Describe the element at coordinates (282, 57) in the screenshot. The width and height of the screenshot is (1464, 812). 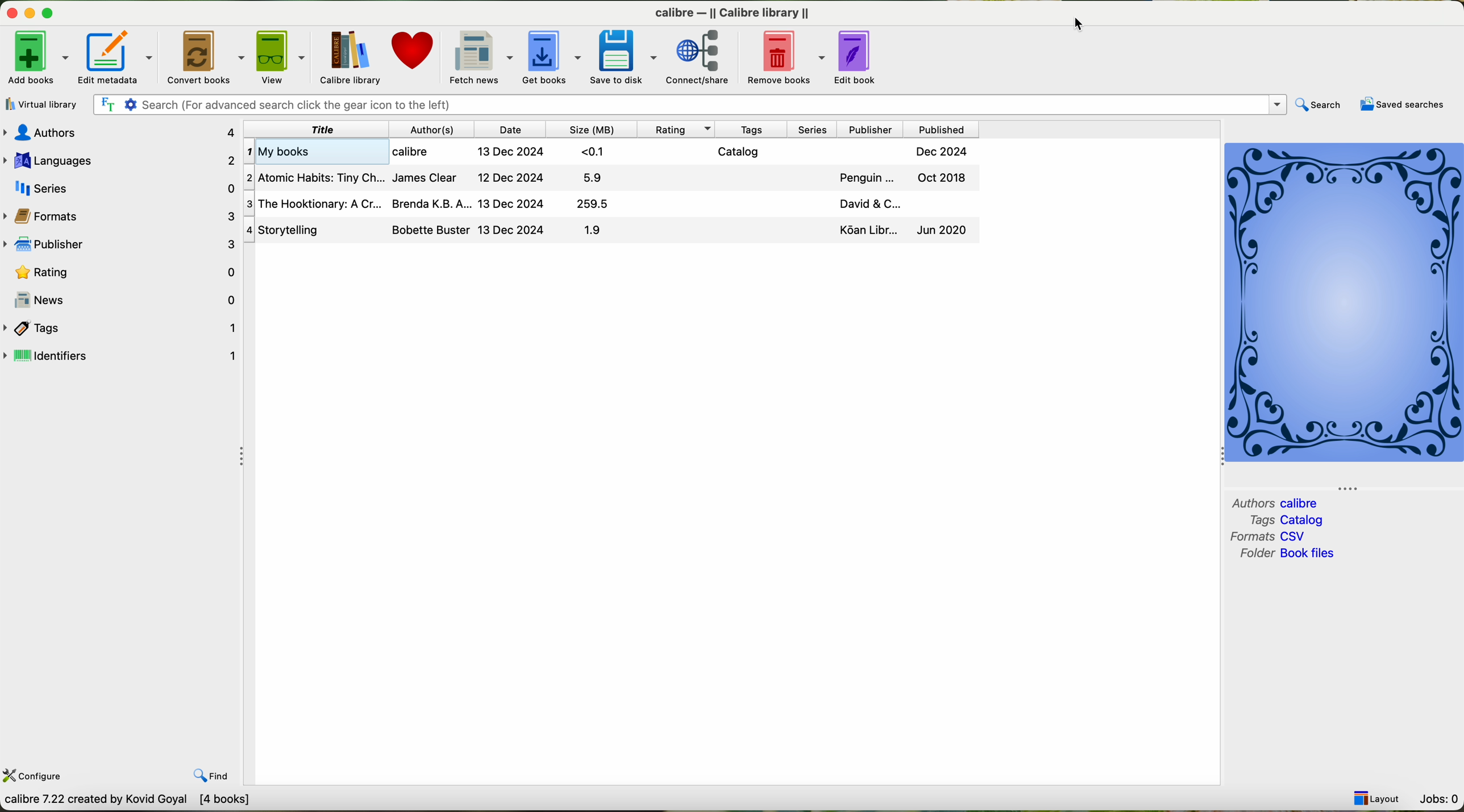
I see `view` at that location.